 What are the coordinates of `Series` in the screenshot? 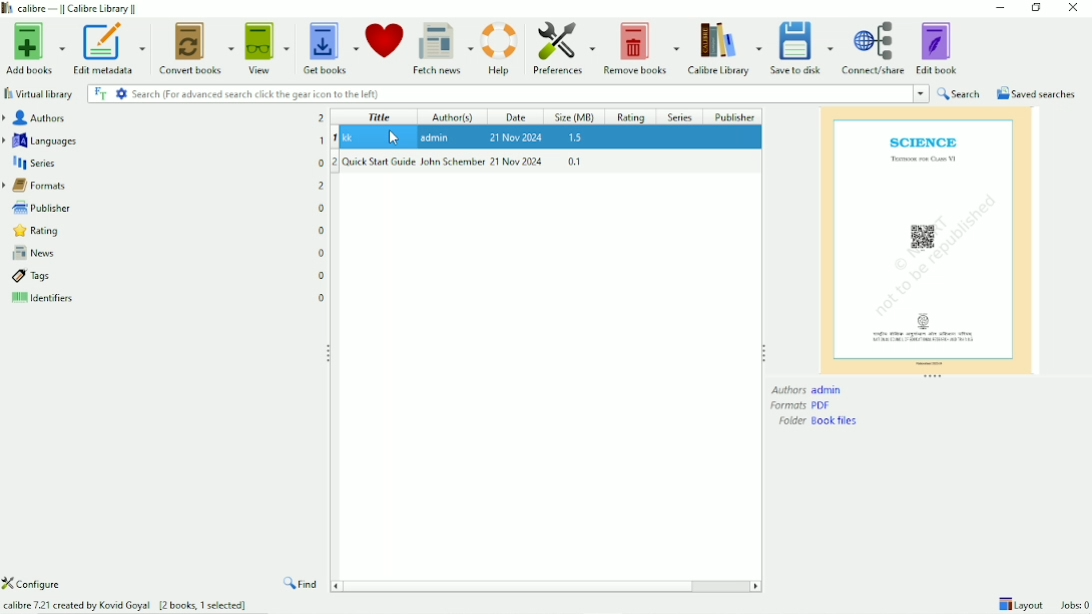 It's located at (681, 116).